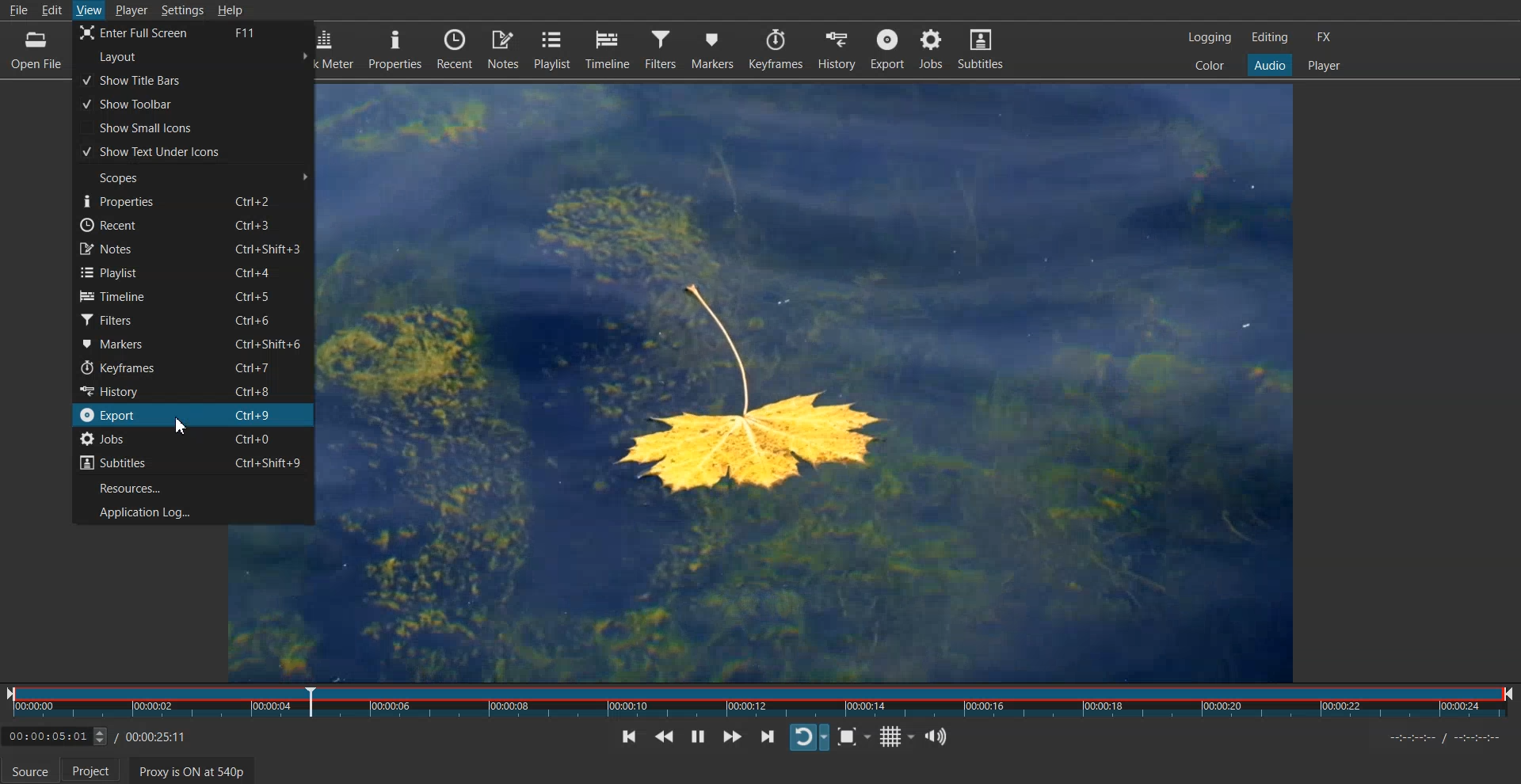  What do you see at coordinates (810, 737) in the screenshot?
I see `Toggle player looping` at bounding box center [810, 737].